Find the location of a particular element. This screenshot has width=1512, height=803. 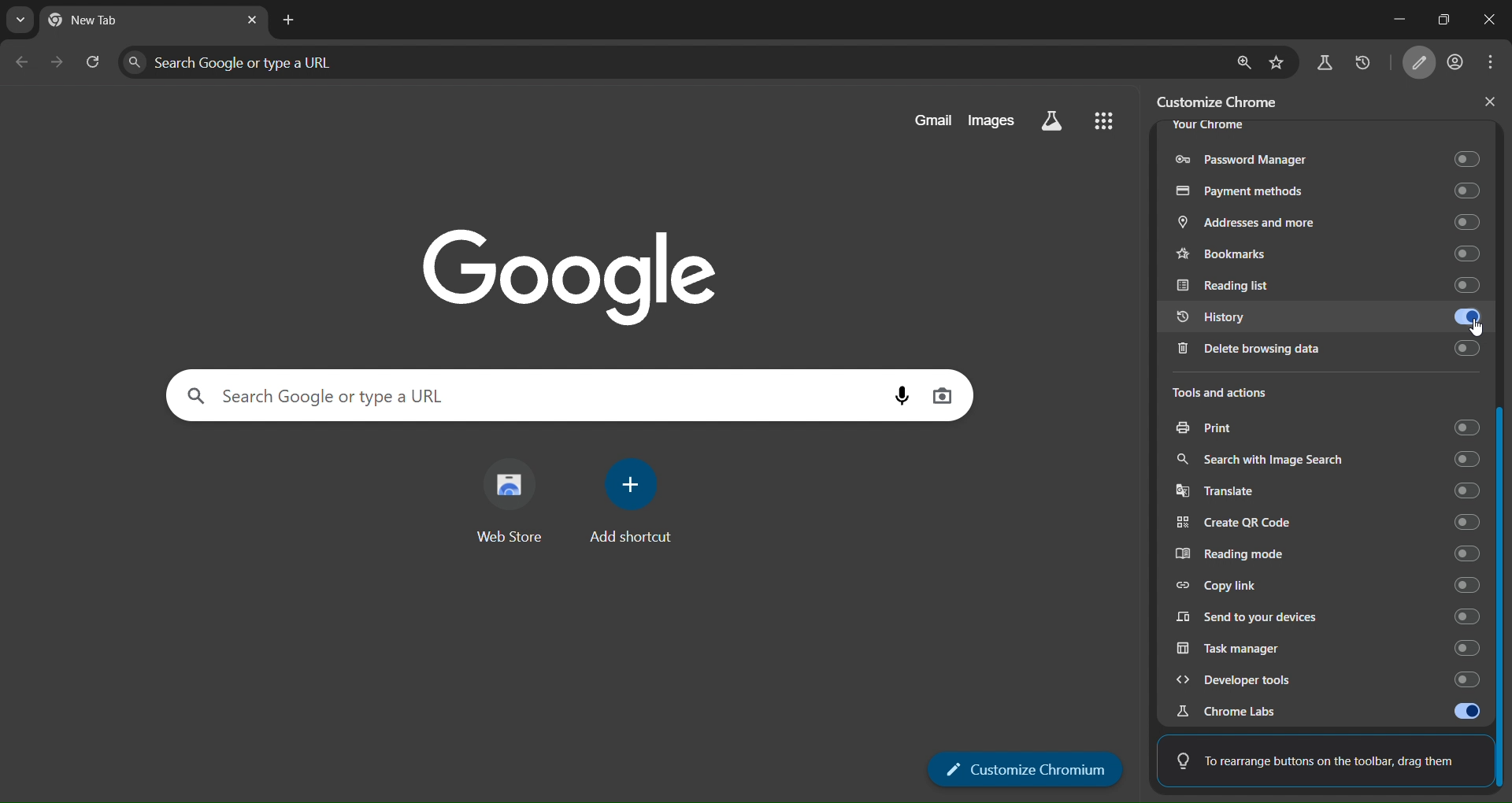

go forward one page is located at coordinates (57, 61).